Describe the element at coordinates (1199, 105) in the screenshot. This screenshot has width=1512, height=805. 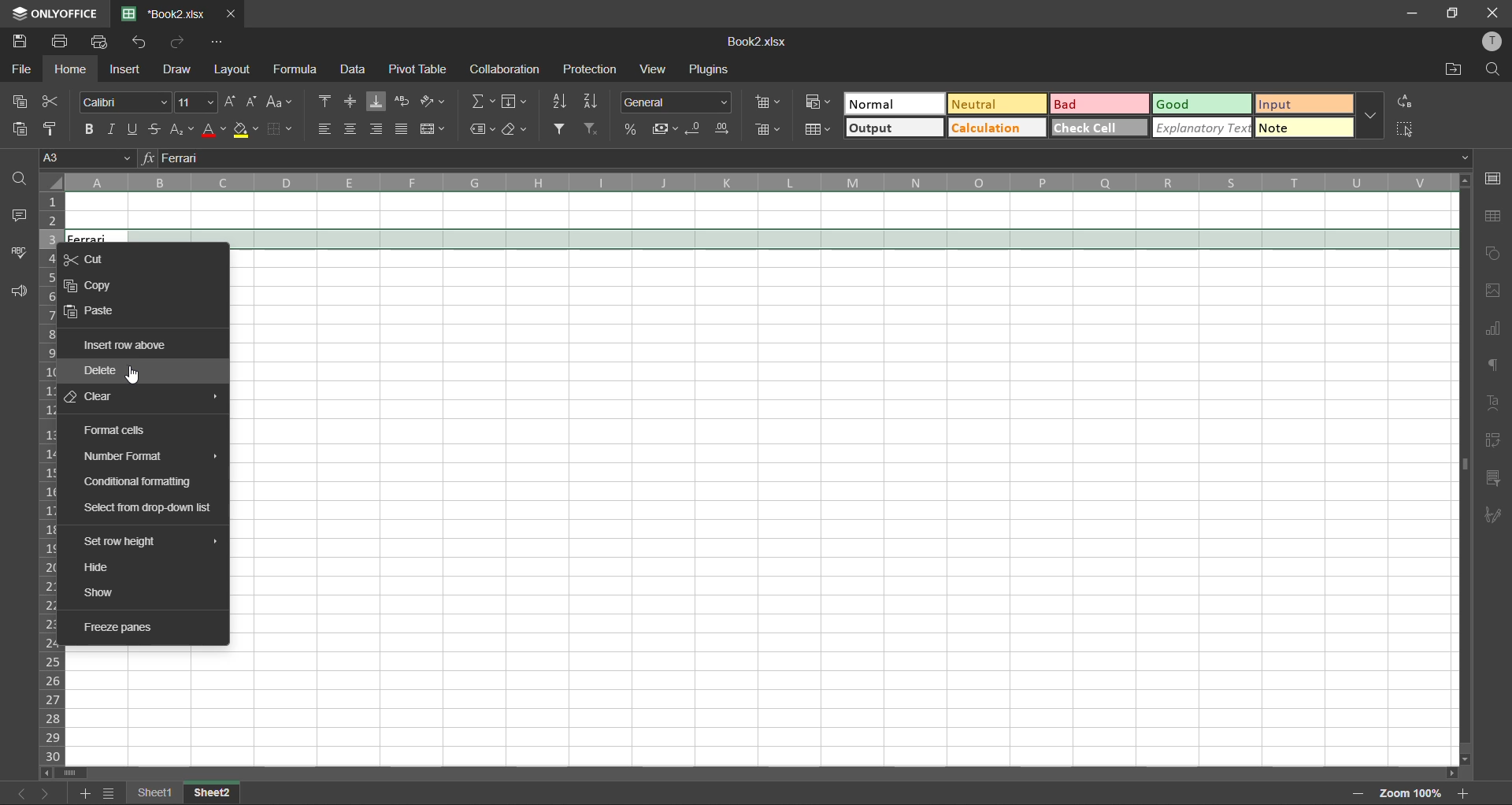
I see `good` at that location.